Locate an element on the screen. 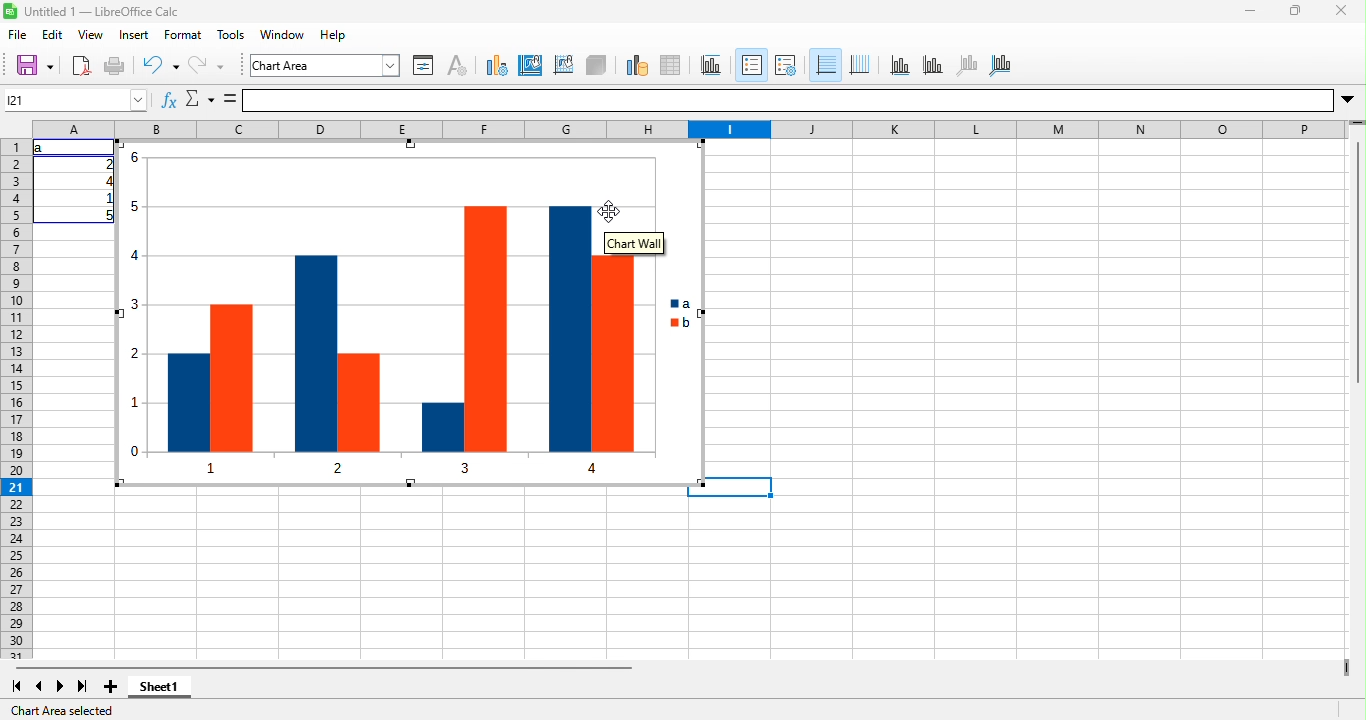 The image size is (1366, 720). close is located at coordinates (1341, 11).